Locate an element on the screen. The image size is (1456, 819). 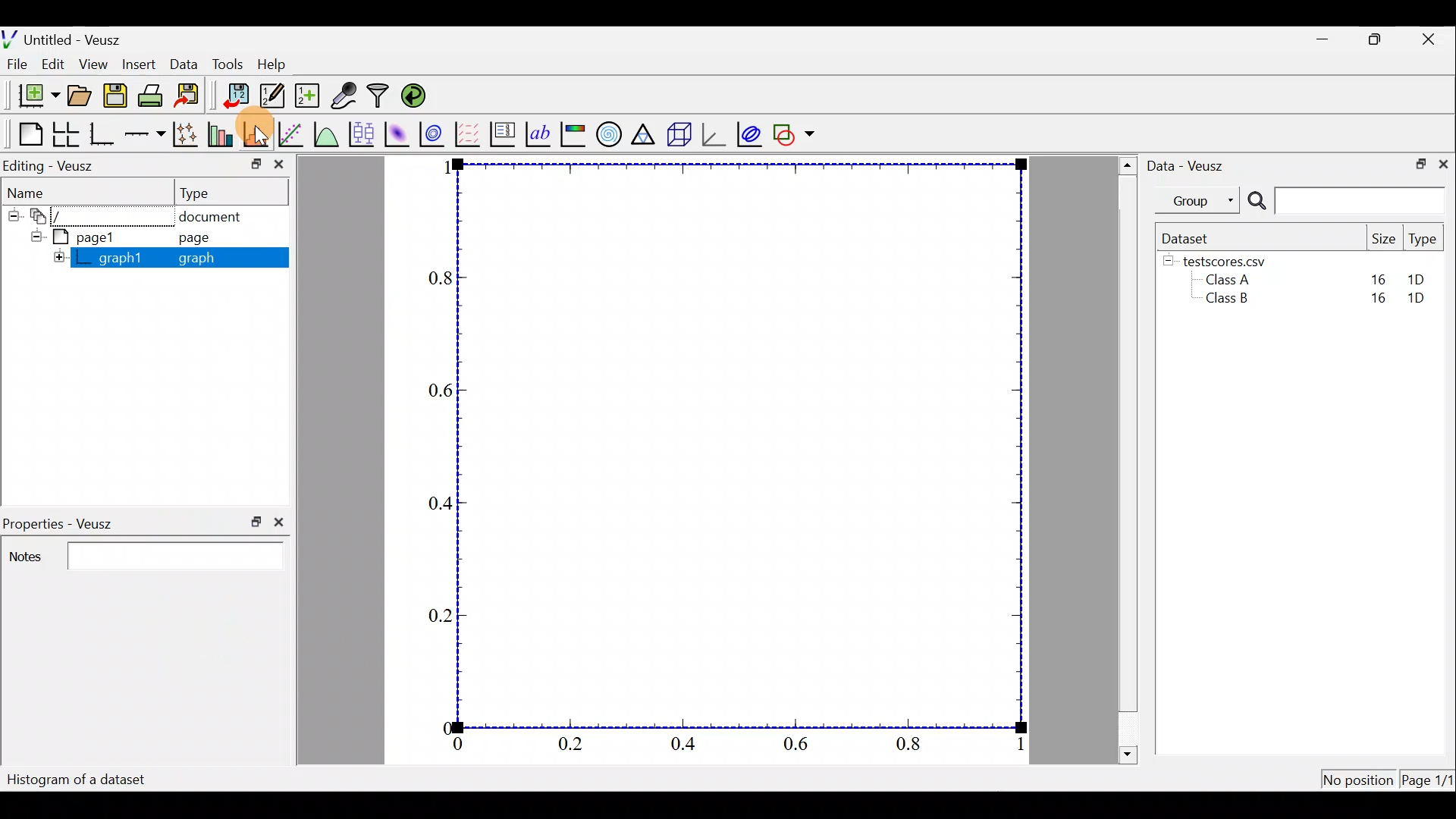
testscores.csv is located at coordinates (1233, 261).